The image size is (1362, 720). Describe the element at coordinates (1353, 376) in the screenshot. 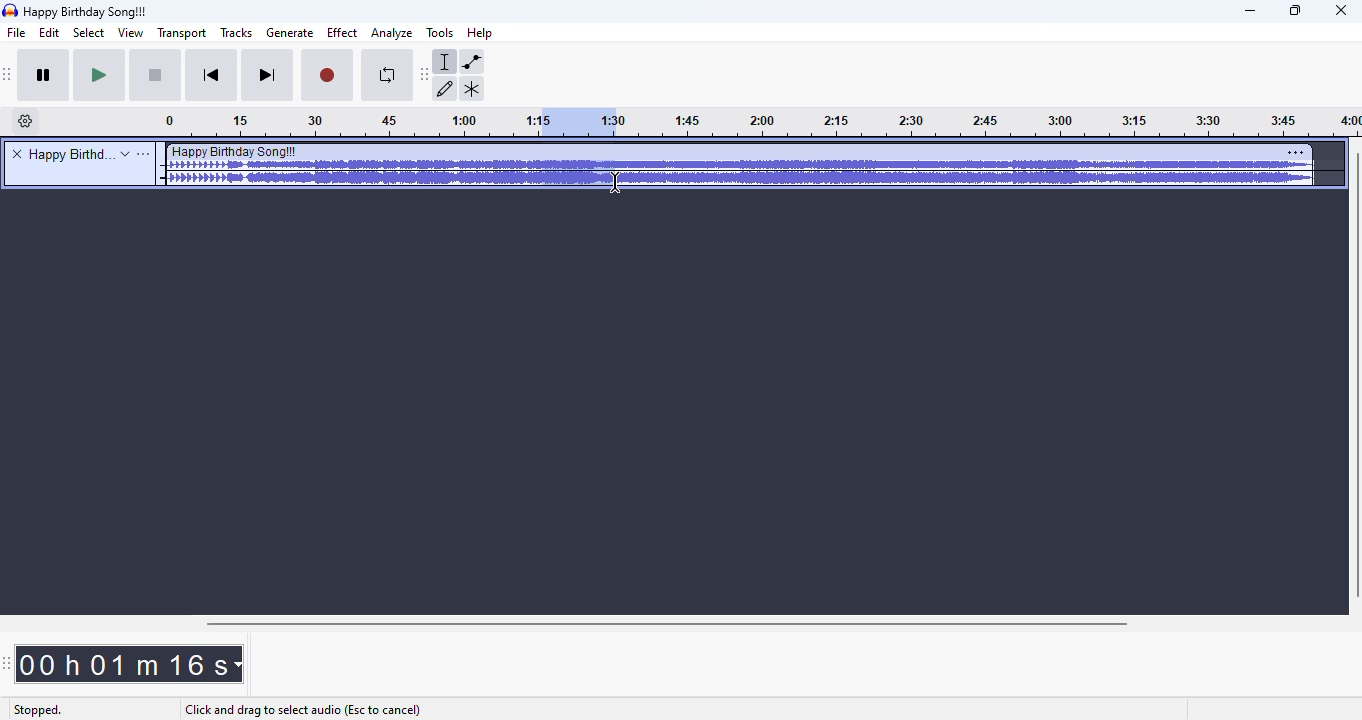

I see `vertical scroll bar` at that location.